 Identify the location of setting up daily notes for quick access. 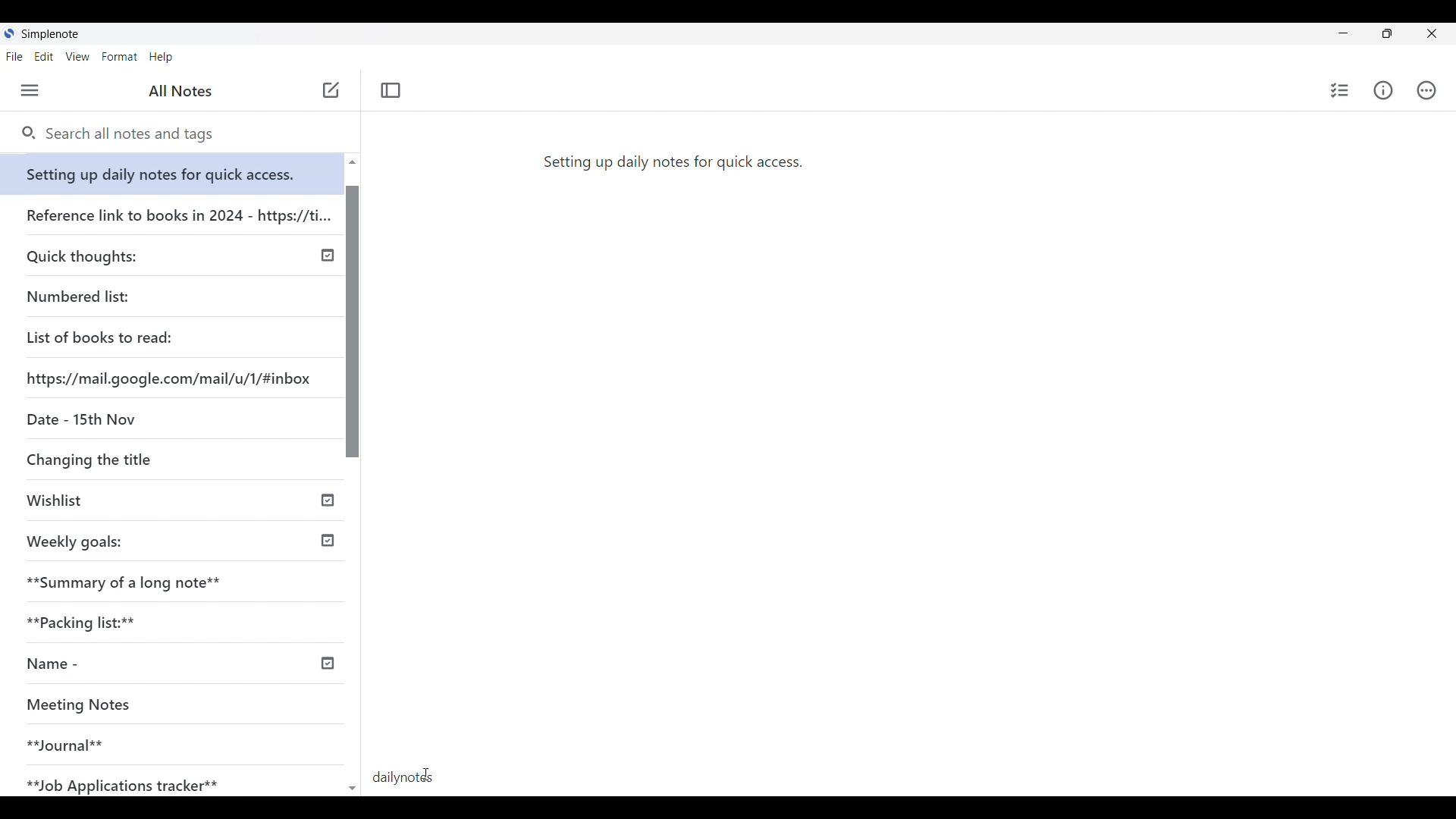
(672, 160).